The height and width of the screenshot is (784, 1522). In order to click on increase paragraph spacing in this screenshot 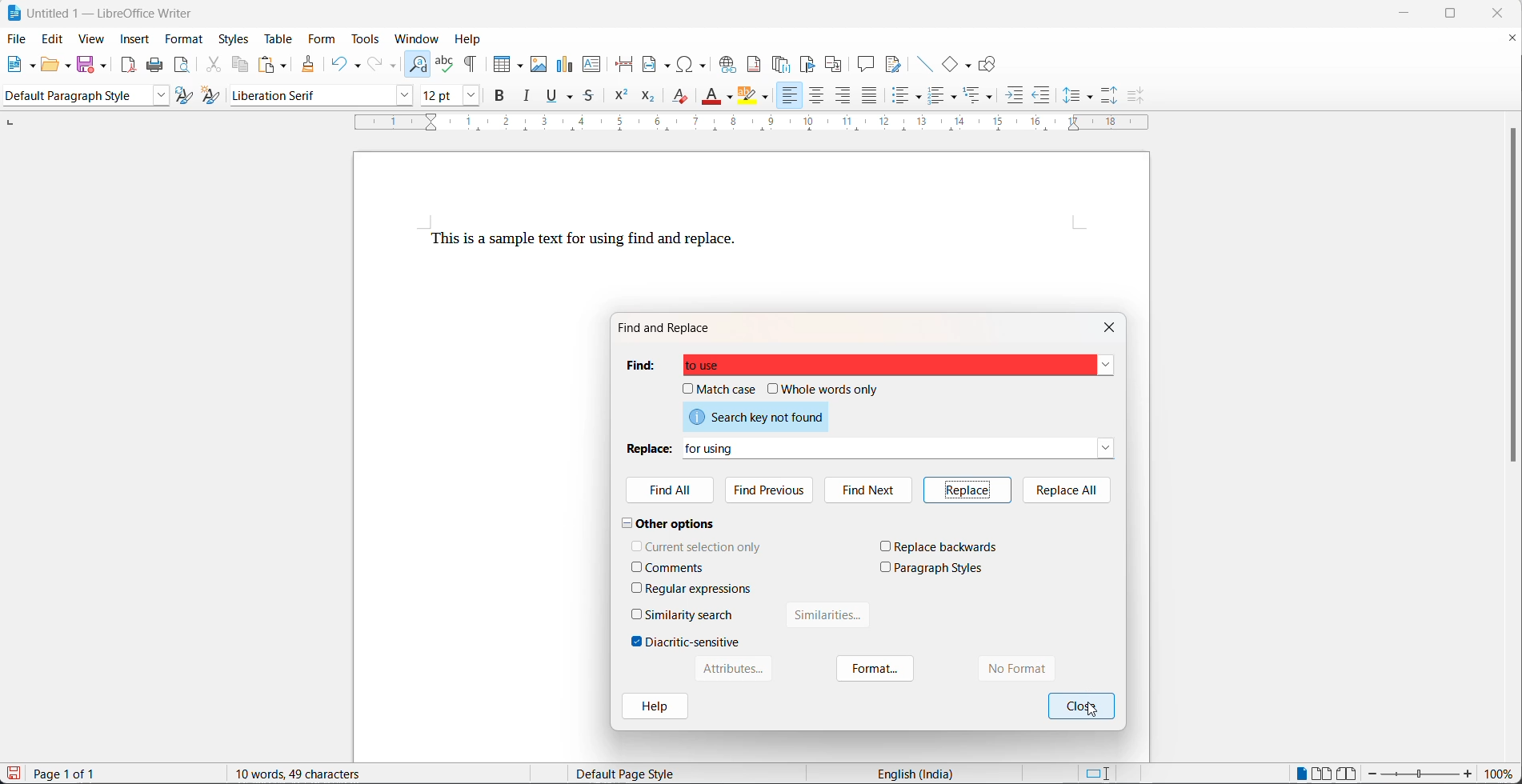, I will do `click(1110, 94)`.